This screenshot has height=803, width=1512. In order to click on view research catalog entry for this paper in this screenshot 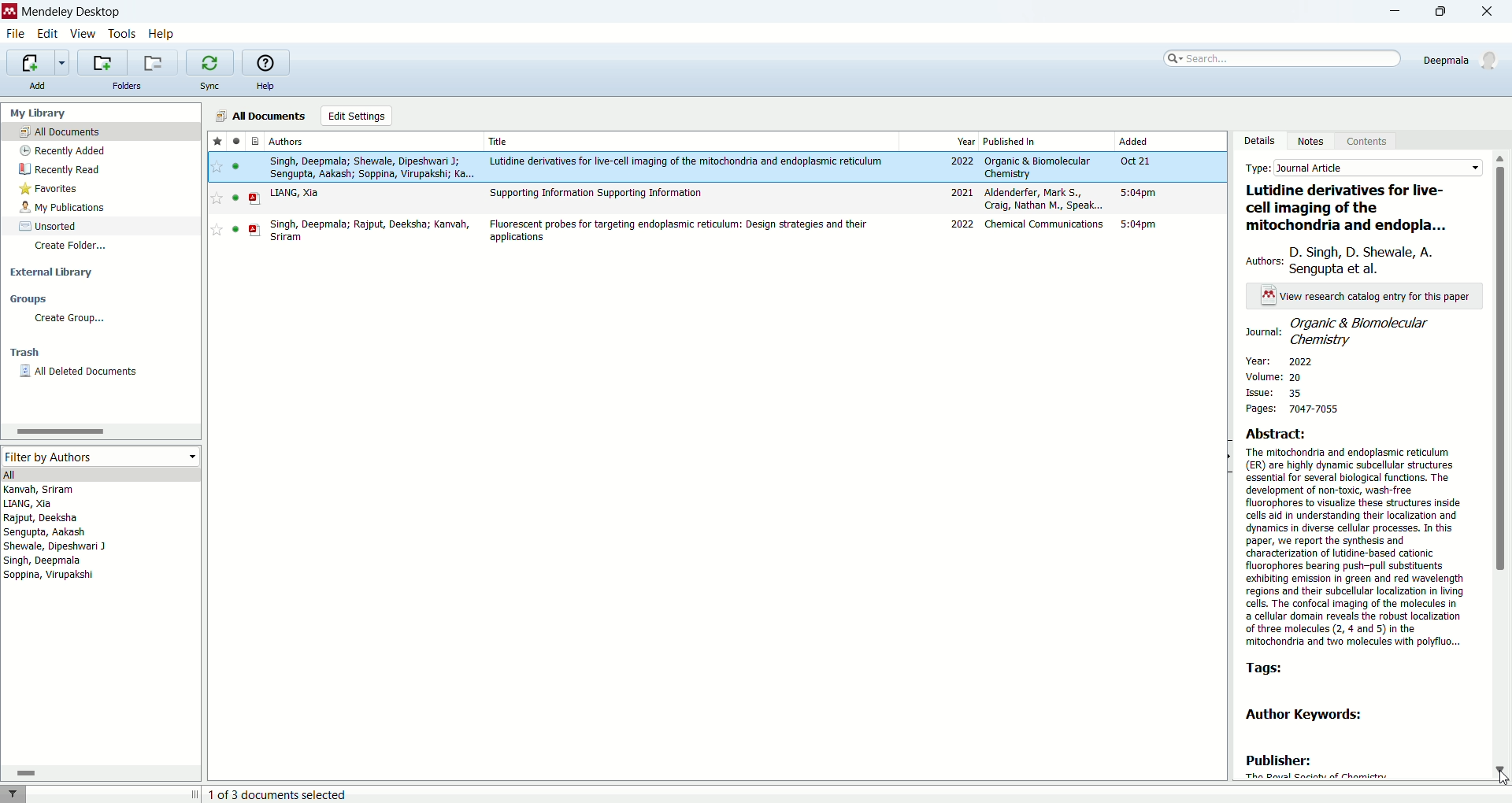, I will do `click(1369, 297)`.